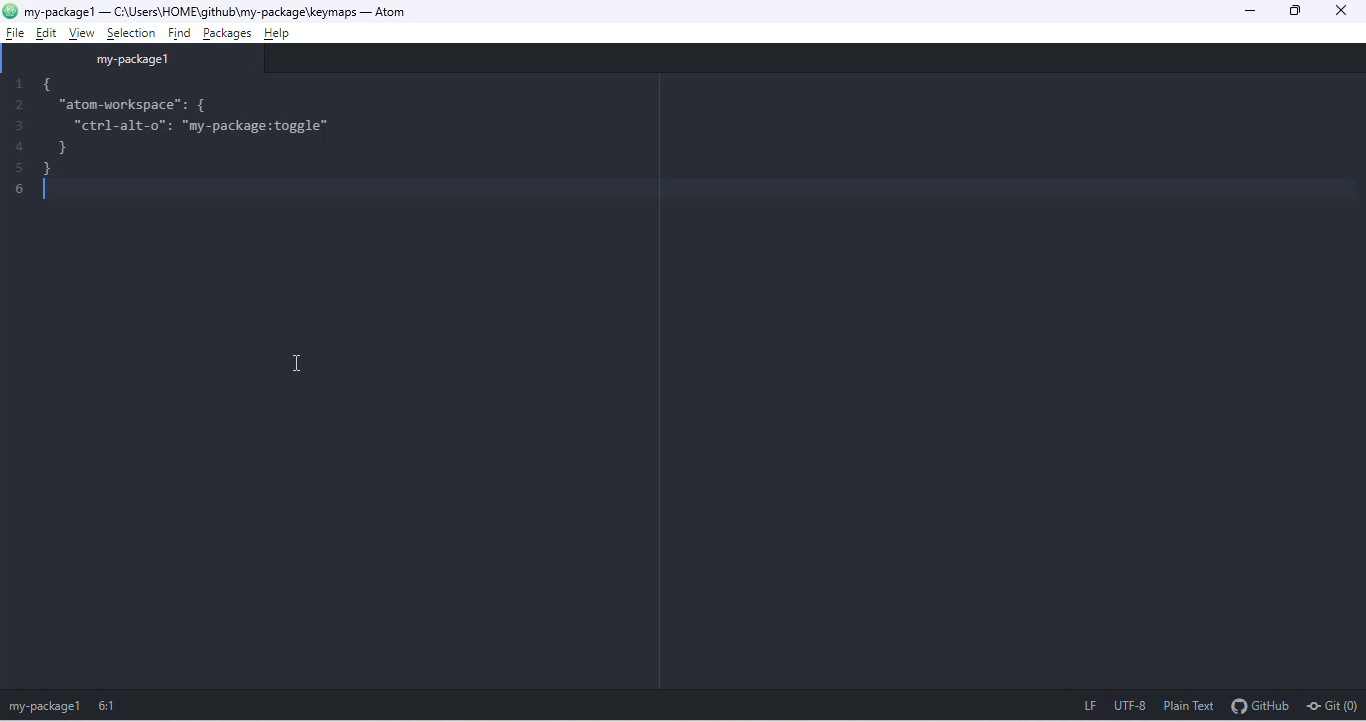  What do you see at coordinates (13, 140) in the screenshot?
I see `Code lines` at bounding box center [13, 140].